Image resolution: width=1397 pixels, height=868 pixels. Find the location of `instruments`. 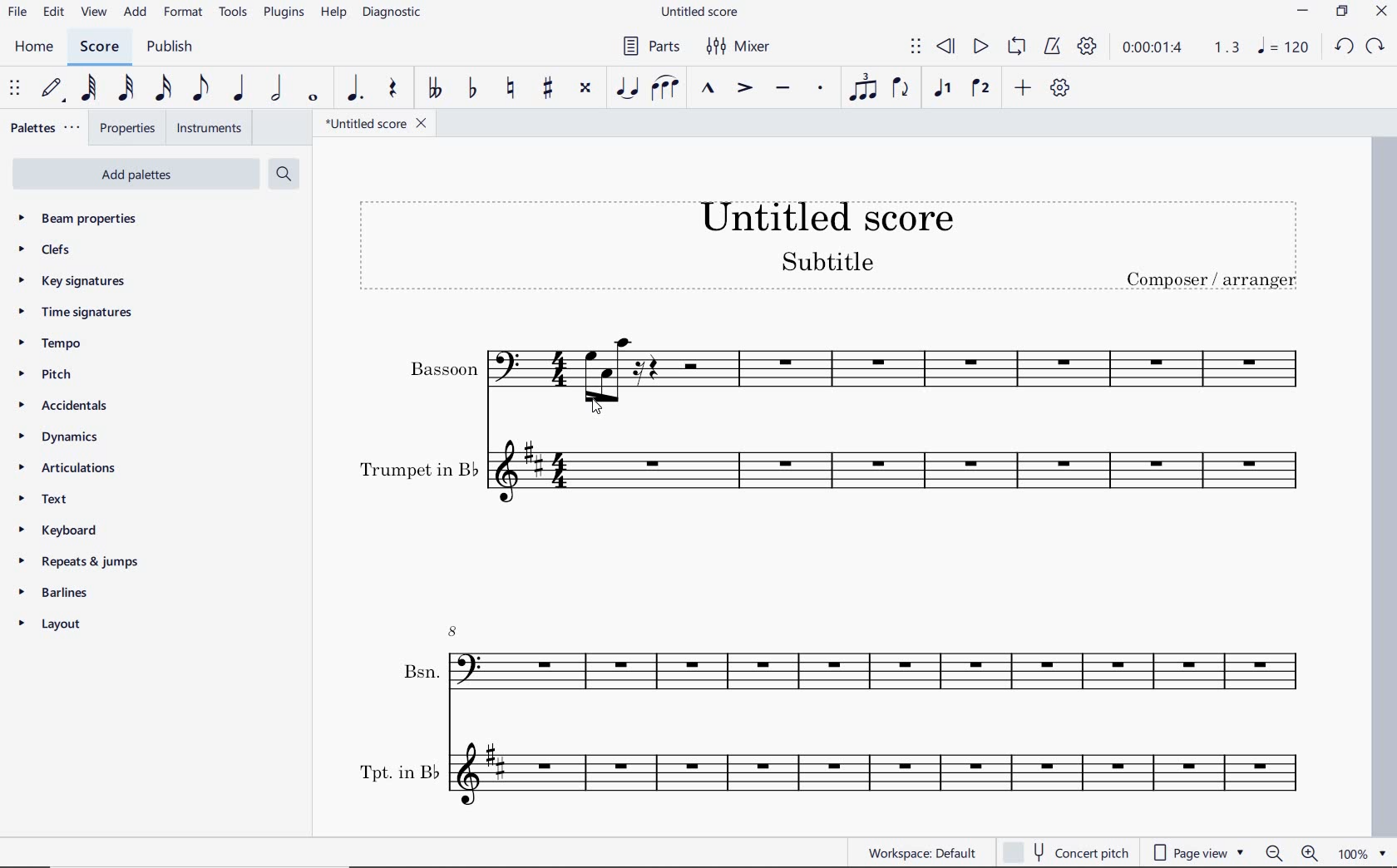

instruments is located at coordinates (210, 128).